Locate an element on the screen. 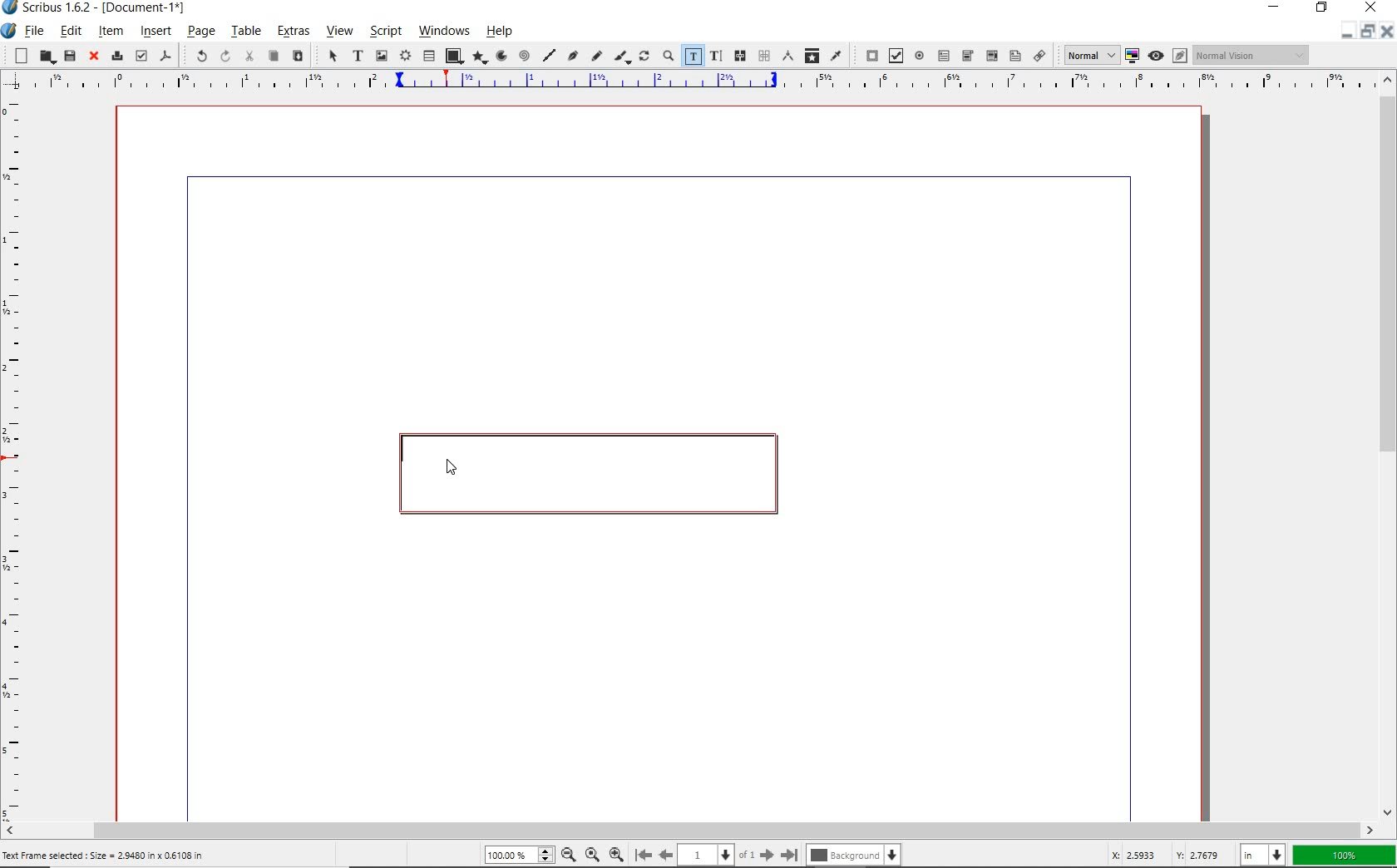 The height and width of the screenshot is (868, 1397). cut is located at coordinates (249, 57).